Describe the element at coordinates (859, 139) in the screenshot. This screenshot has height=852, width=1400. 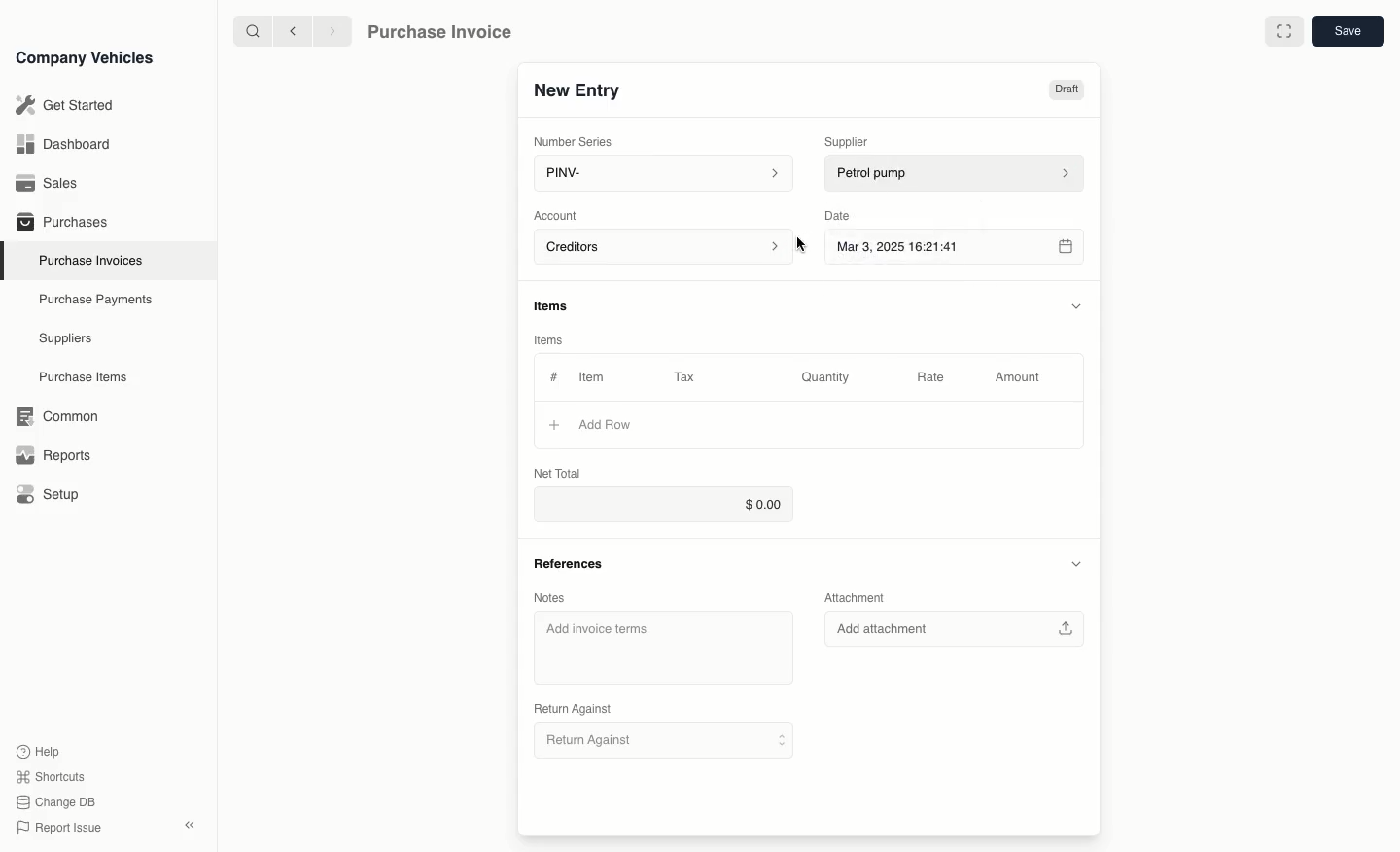
I see `Supplier` at that location.